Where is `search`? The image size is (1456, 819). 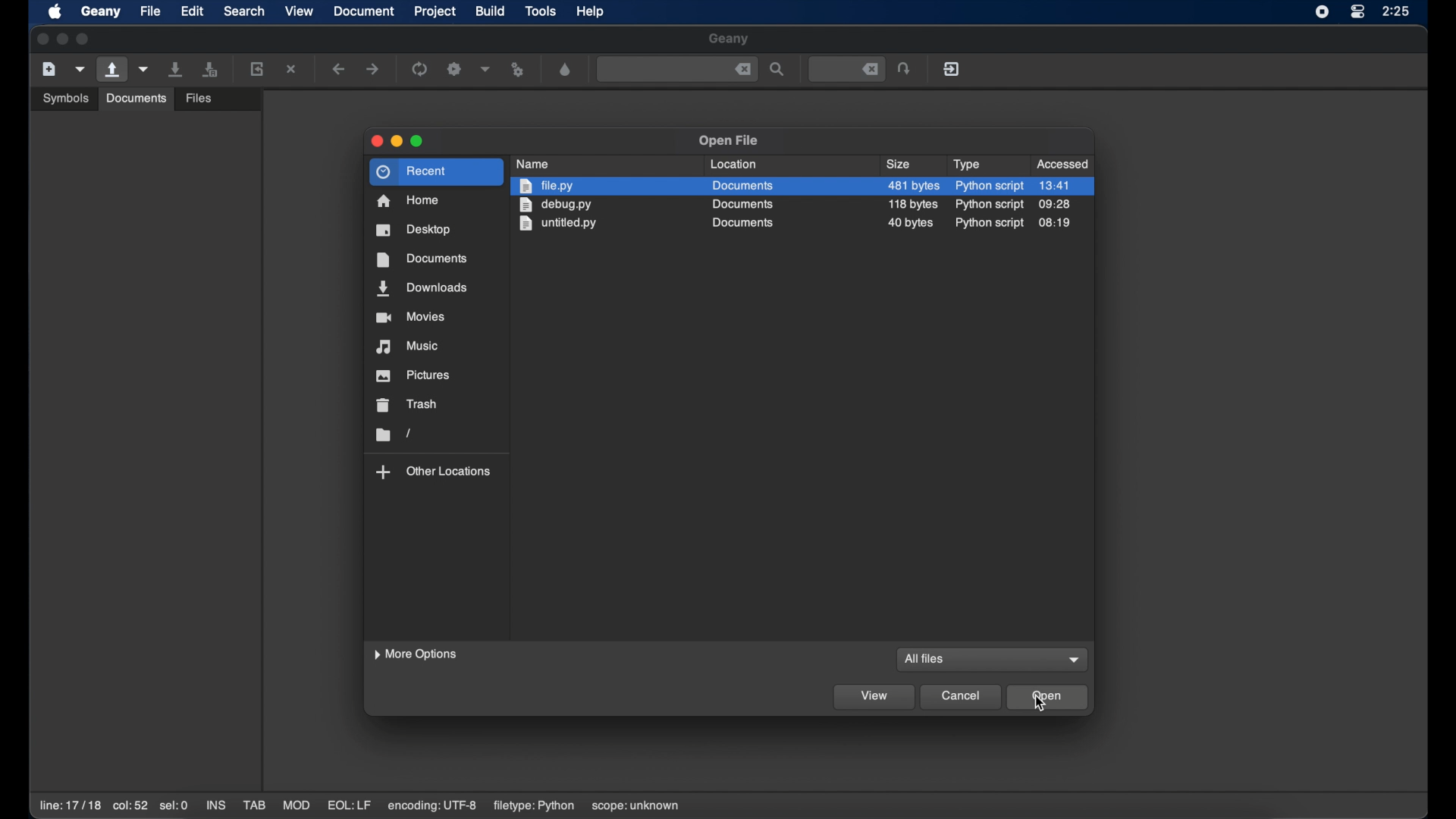 search is located at coordinates (244, 11).